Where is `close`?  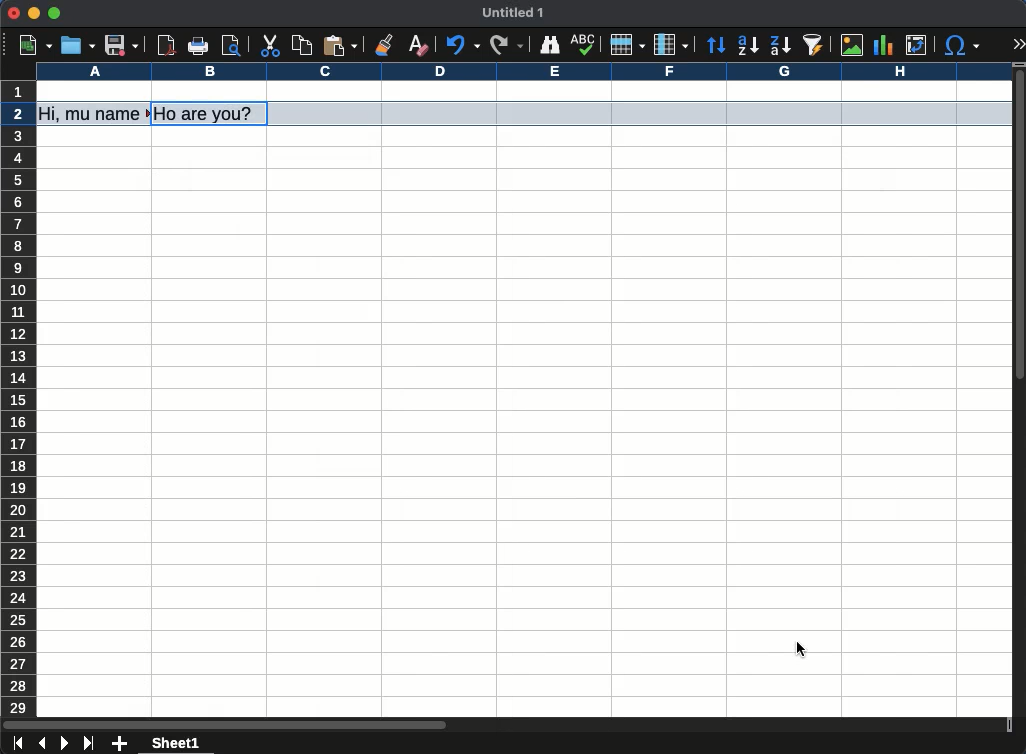
close is located at coordinates (13, 13).